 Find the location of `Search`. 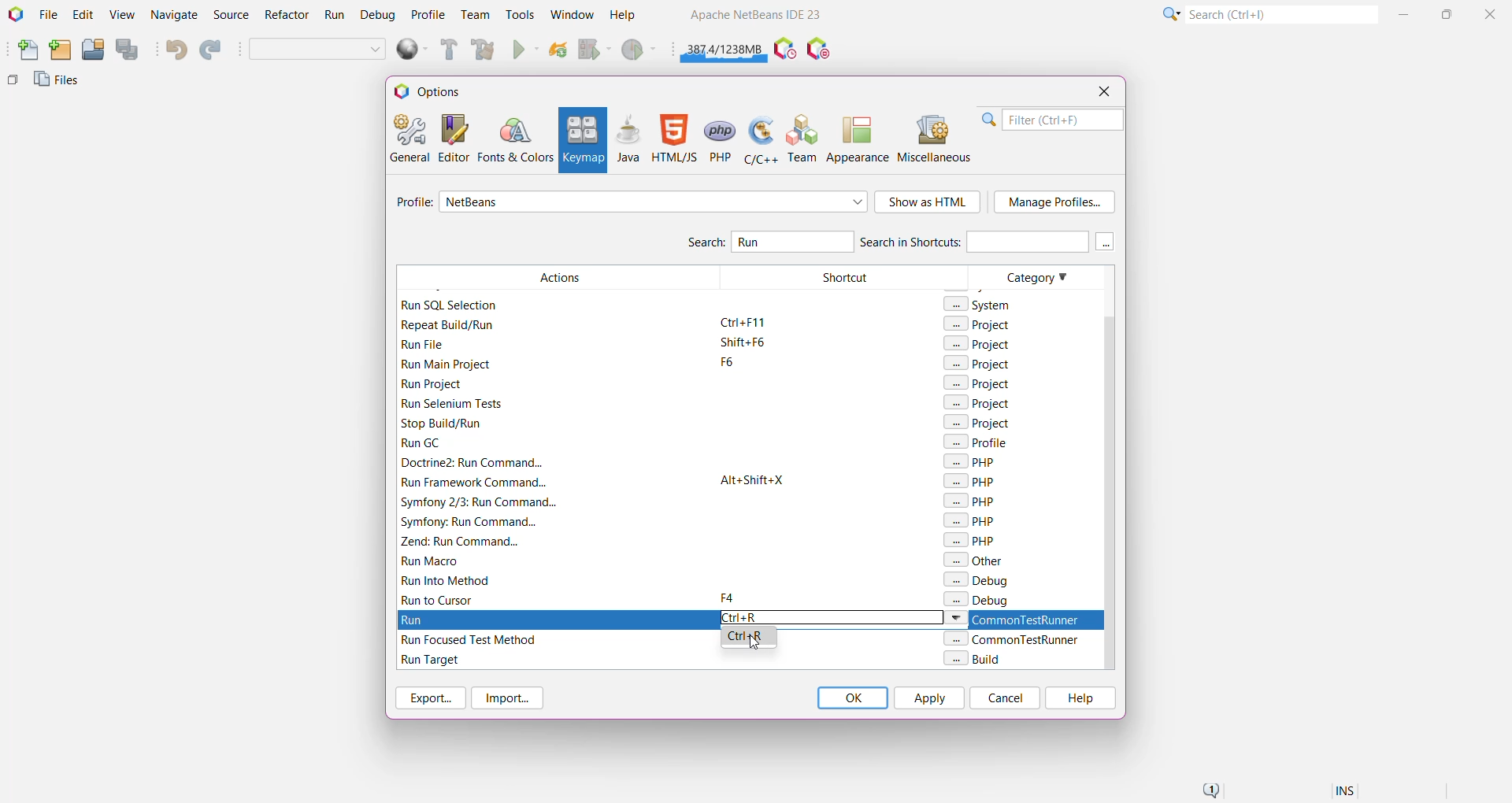

Search is located at coordinates (1280, 13).